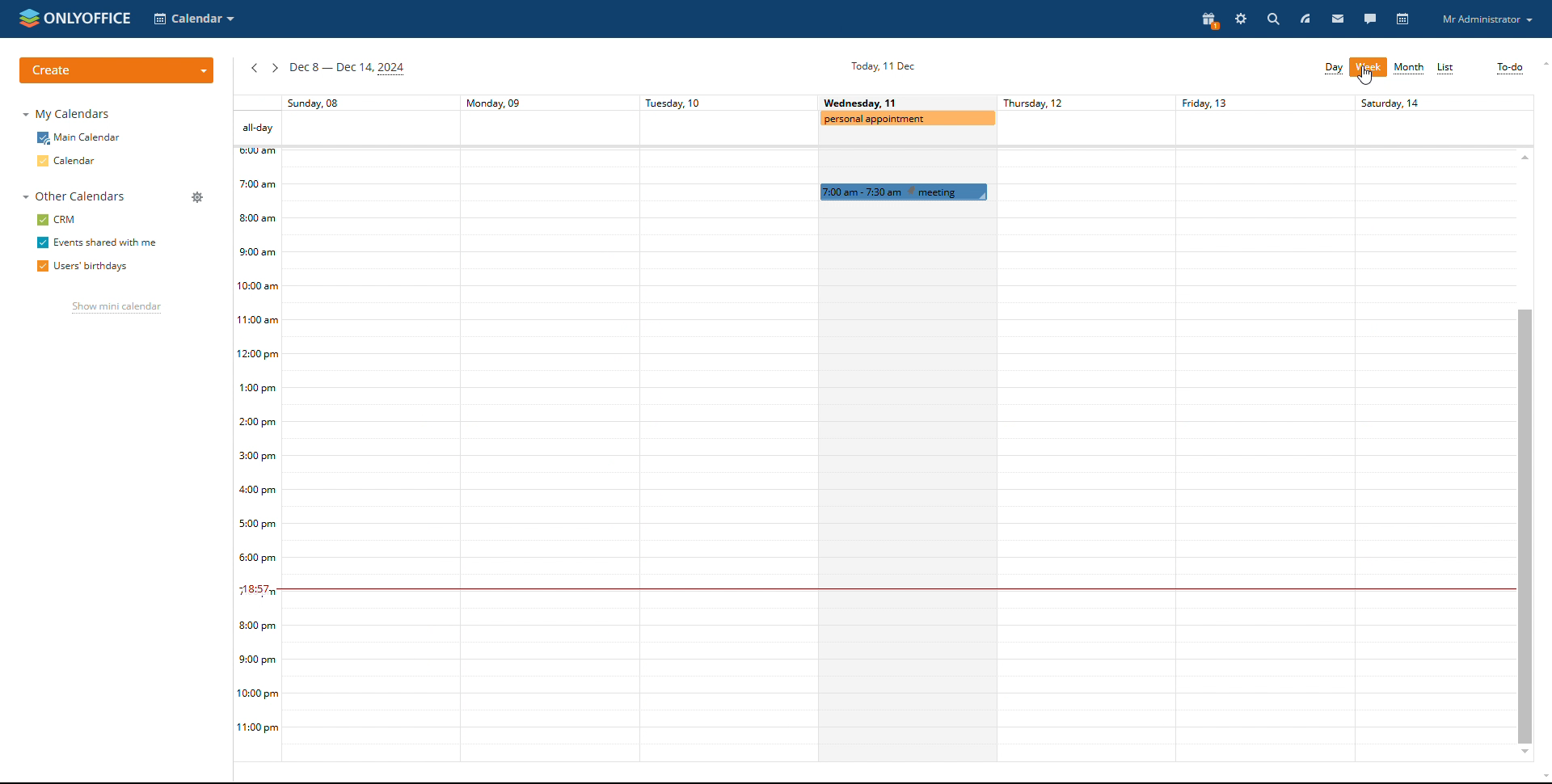  I want to click on next week, so click(275, 68).